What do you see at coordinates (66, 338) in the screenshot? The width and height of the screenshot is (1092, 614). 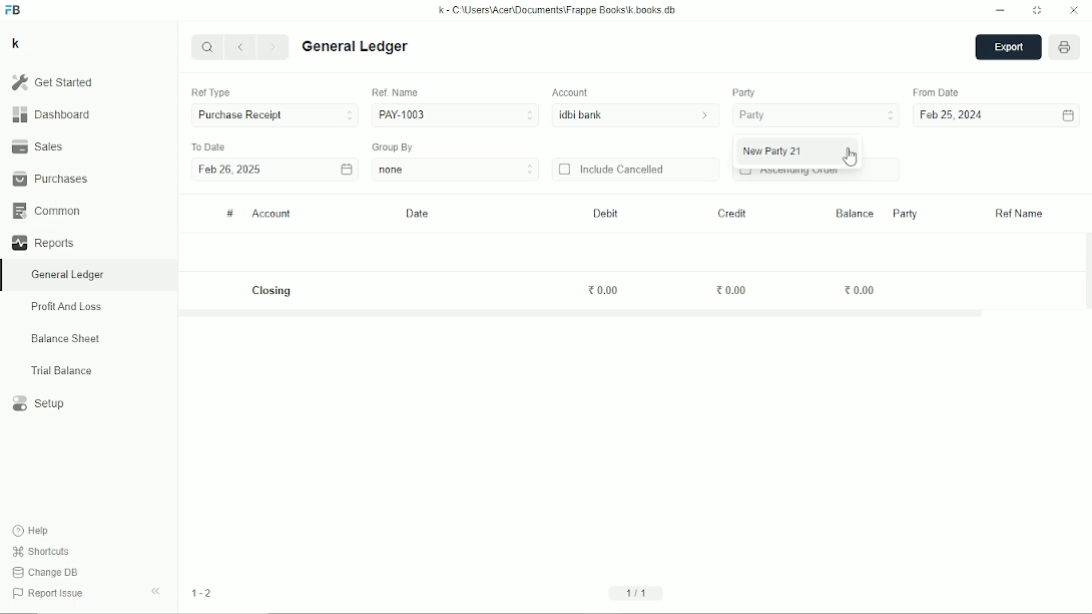 I see `Balance sheet` at bounding box center [66, 338].